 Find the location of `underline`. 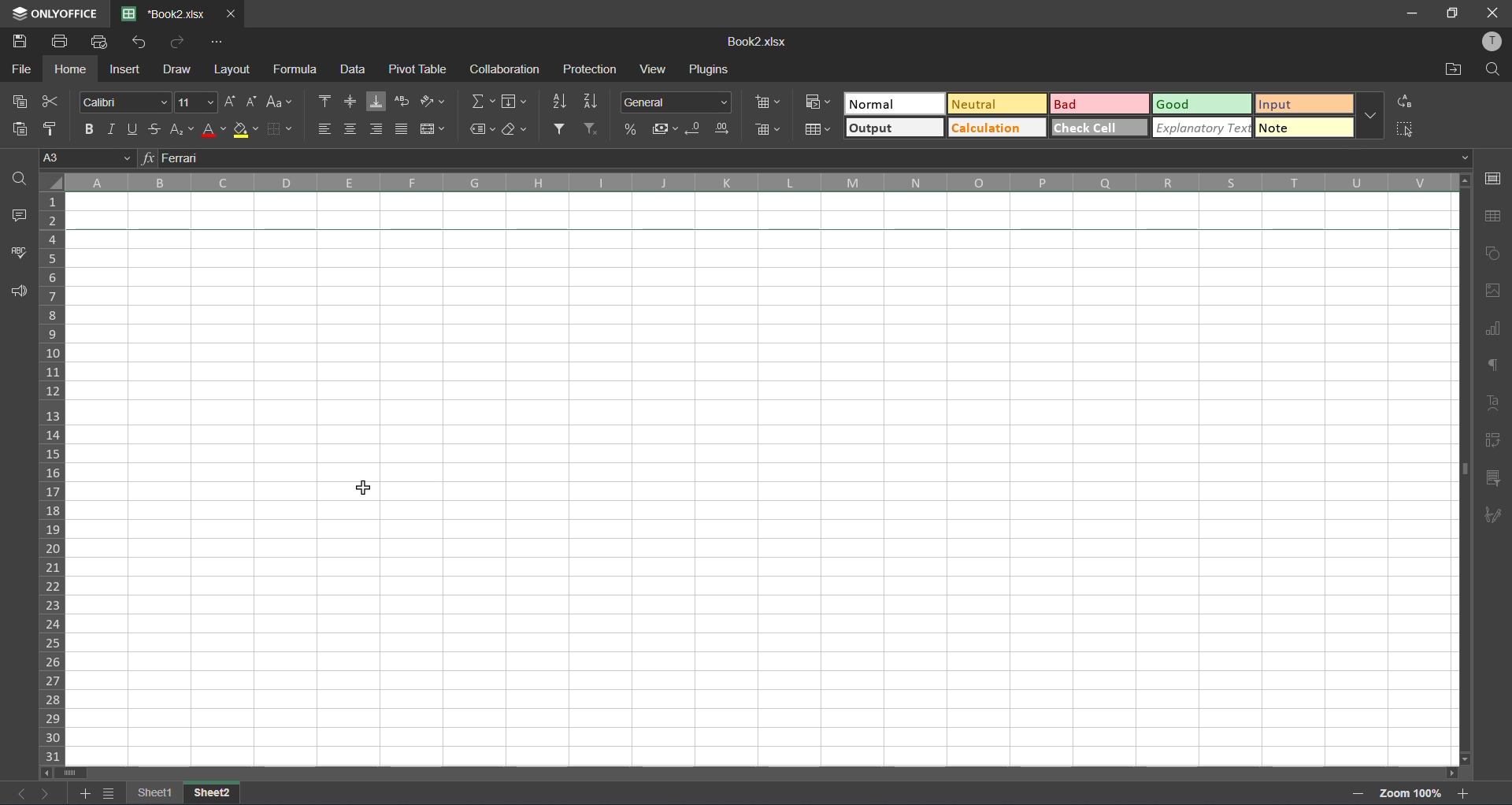

underline is located at coordinates (136, 127).